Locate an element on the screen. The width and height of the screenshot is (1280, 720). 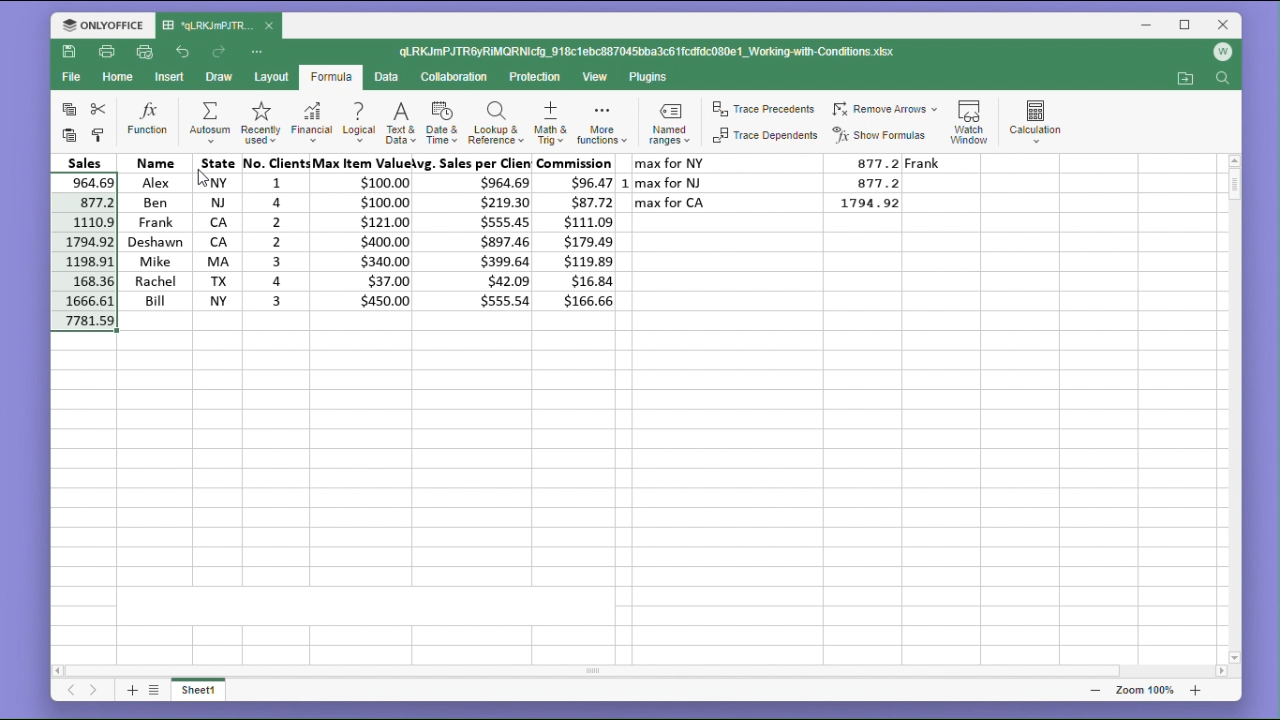
insert is located at coordinates (172, 77).